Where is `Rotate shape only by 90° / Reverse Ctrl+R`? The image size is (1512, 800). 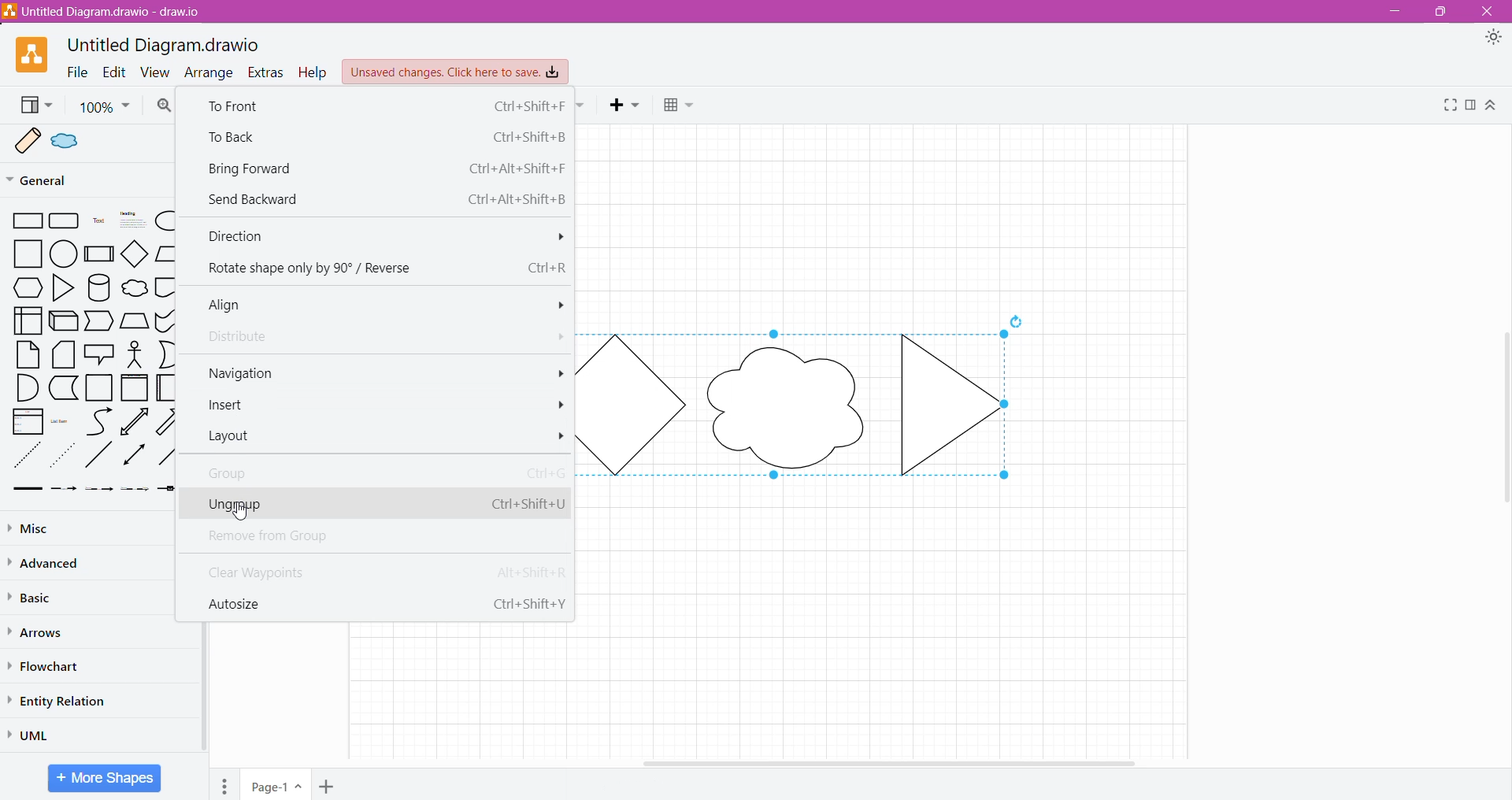
Rotate shape only by 90° / Reverse Ctrl+R is located at coordinates (387, 268).